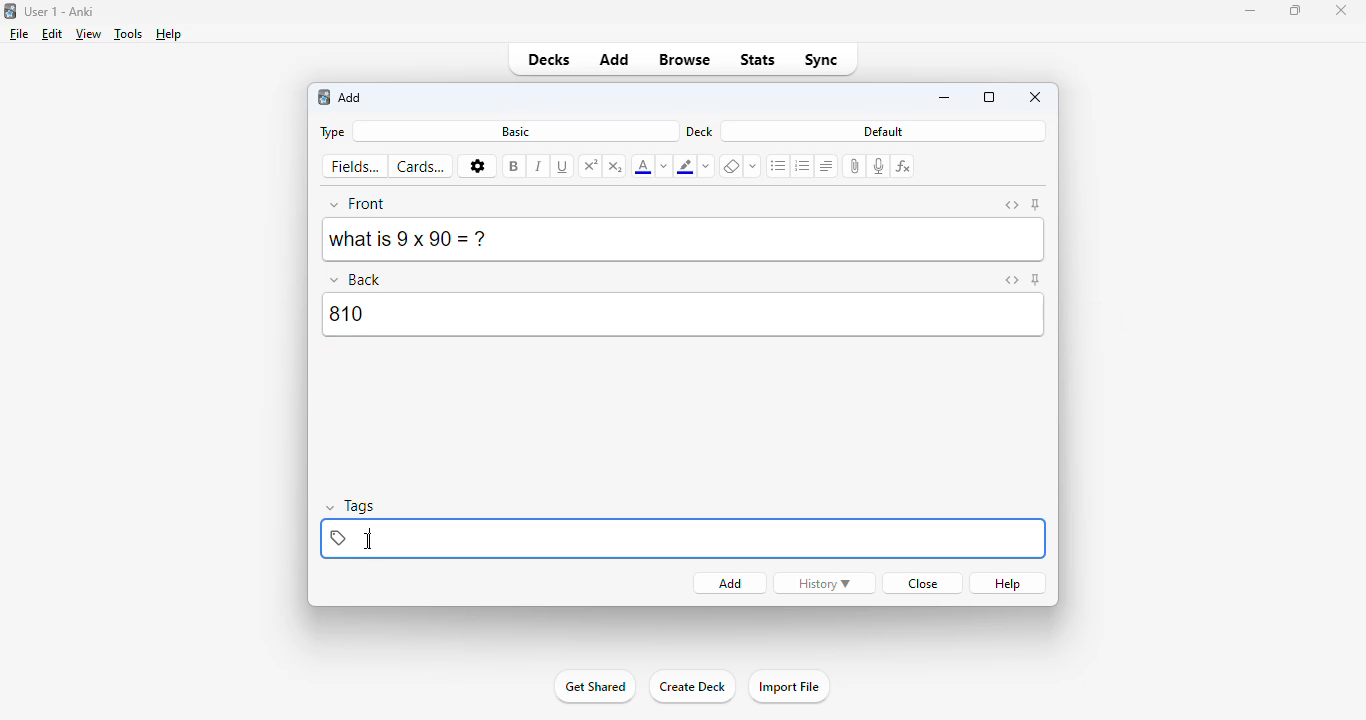 This screenshot has height=720, width=1366. I want to click on file, so click(19, 34).